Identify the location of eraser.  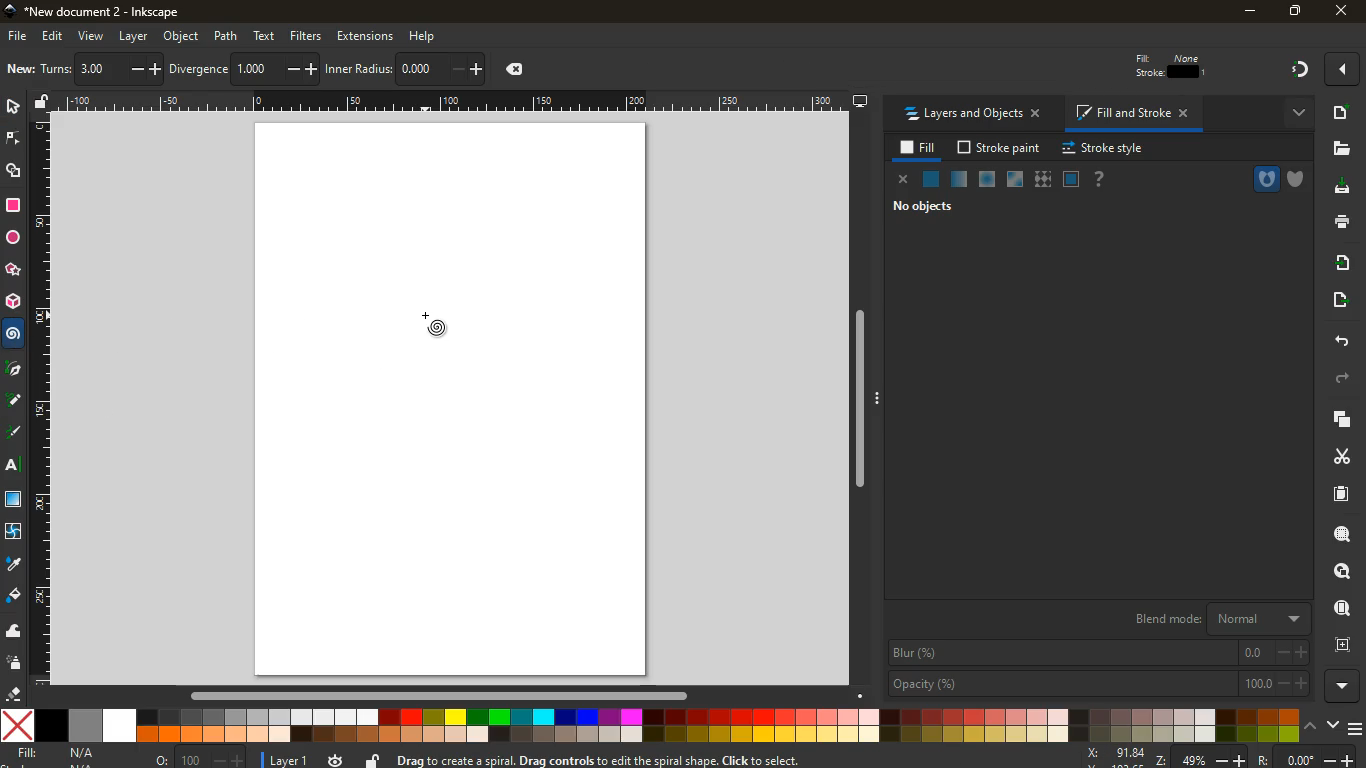
(13, 695).